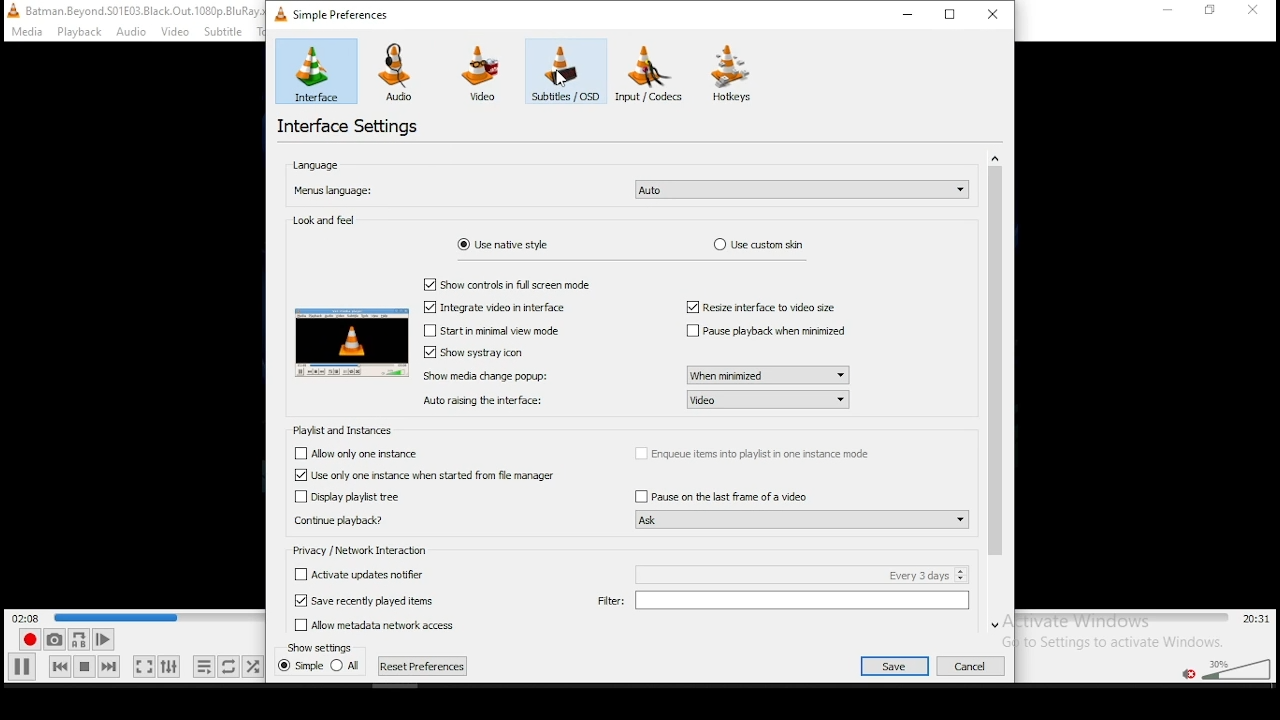 This screenshot has width=1280, height=720. What do you see at coordinates (347, 497) in the screenshot?
I see `` at bounding box center [347, 497].